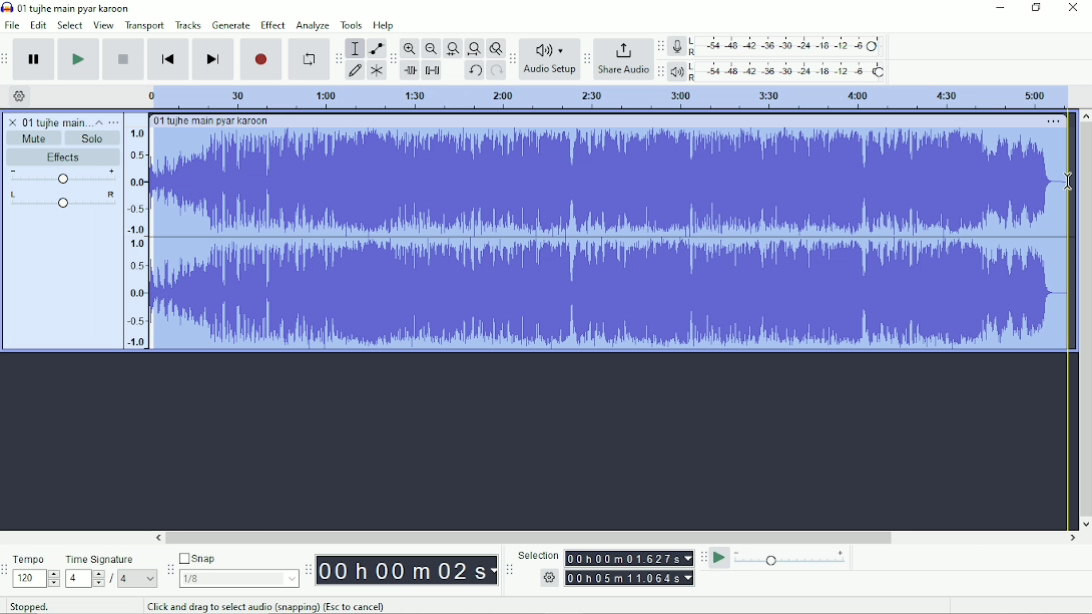  Describe the element at coordinates (99, 122) in the screenshot. I see `Collapse` at that location.